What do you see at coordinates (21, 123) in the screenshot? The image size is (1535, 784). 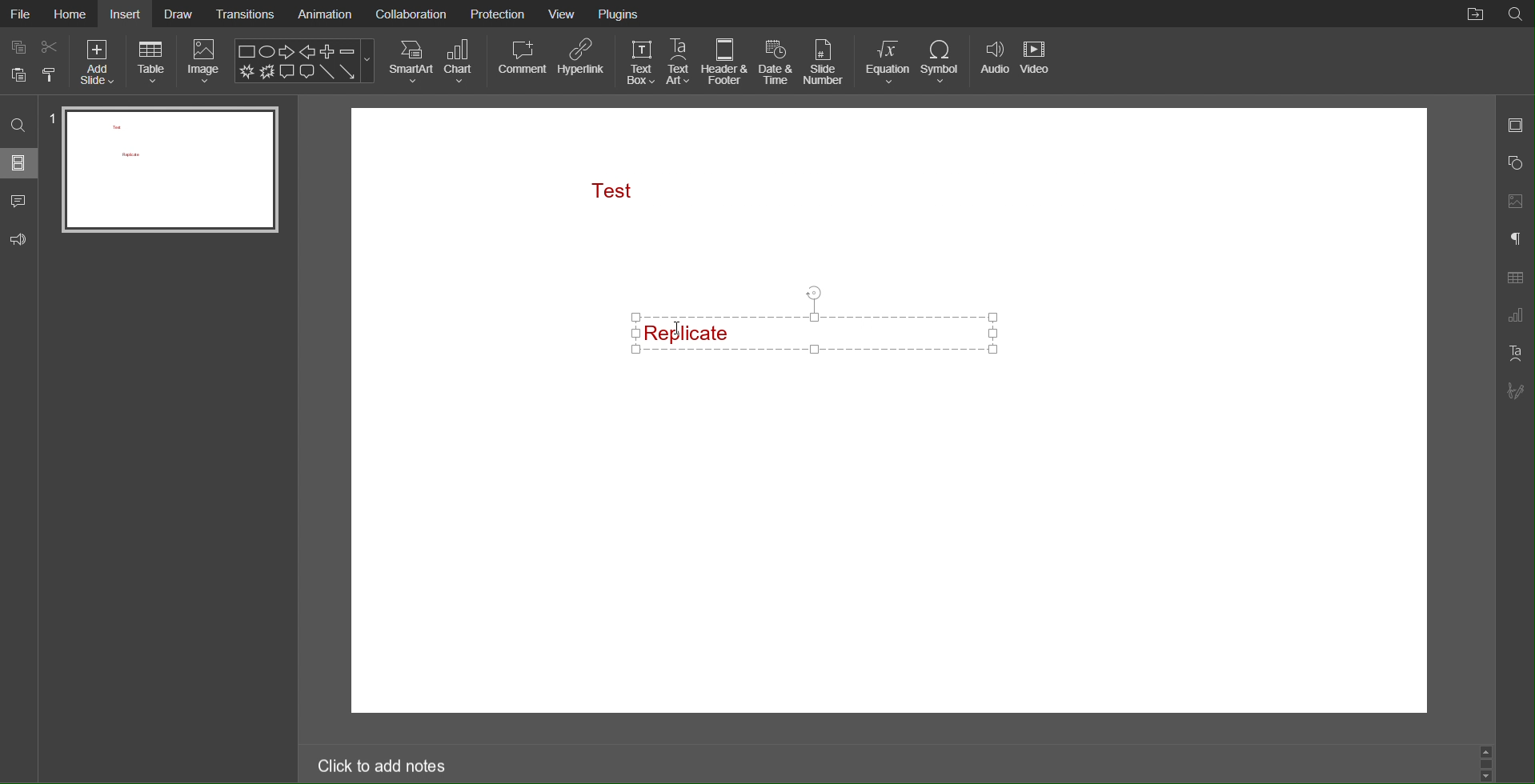 I see `Search` at bounding box center [21, 123].